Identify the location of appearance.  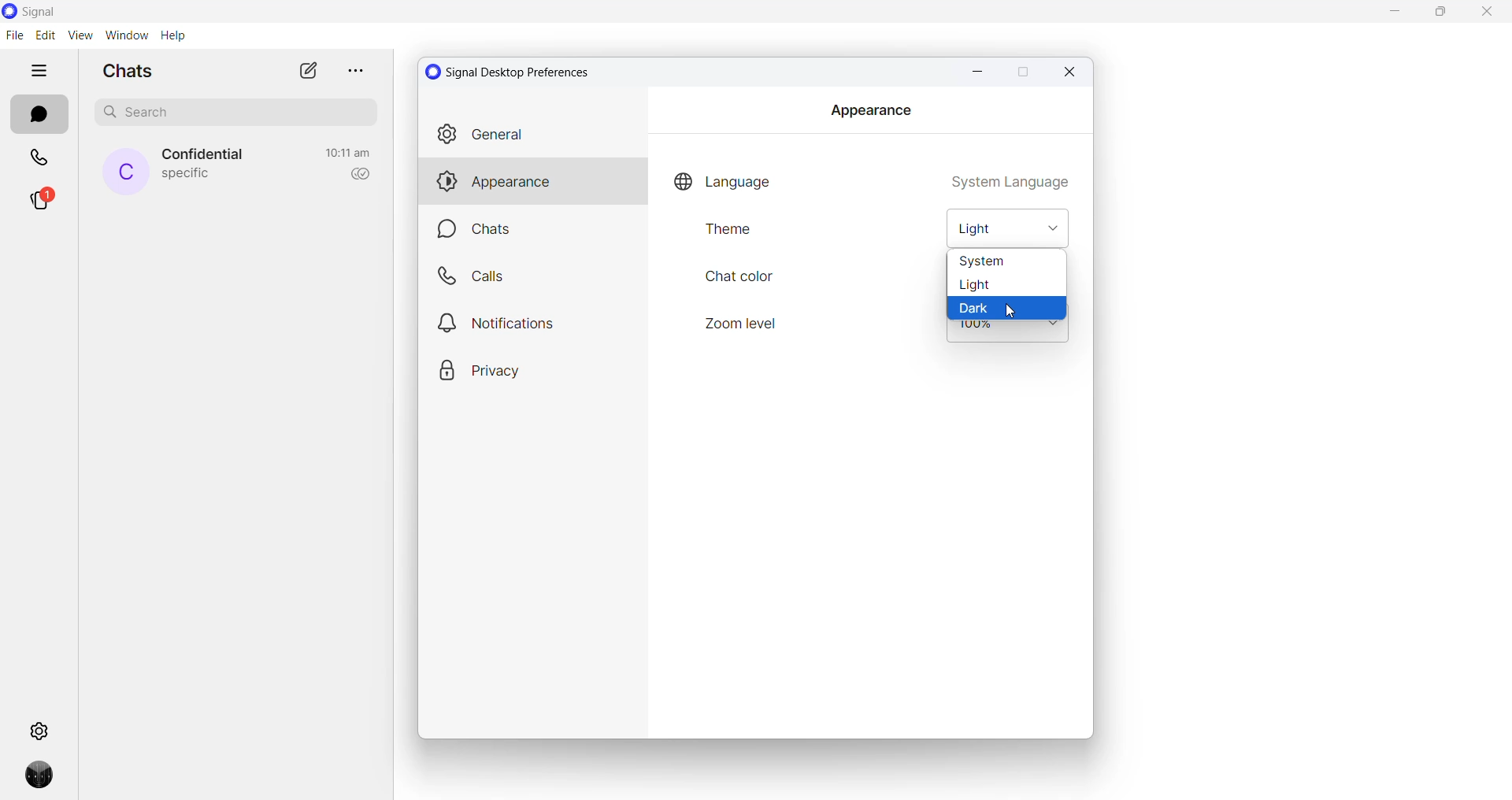
(532, 183).